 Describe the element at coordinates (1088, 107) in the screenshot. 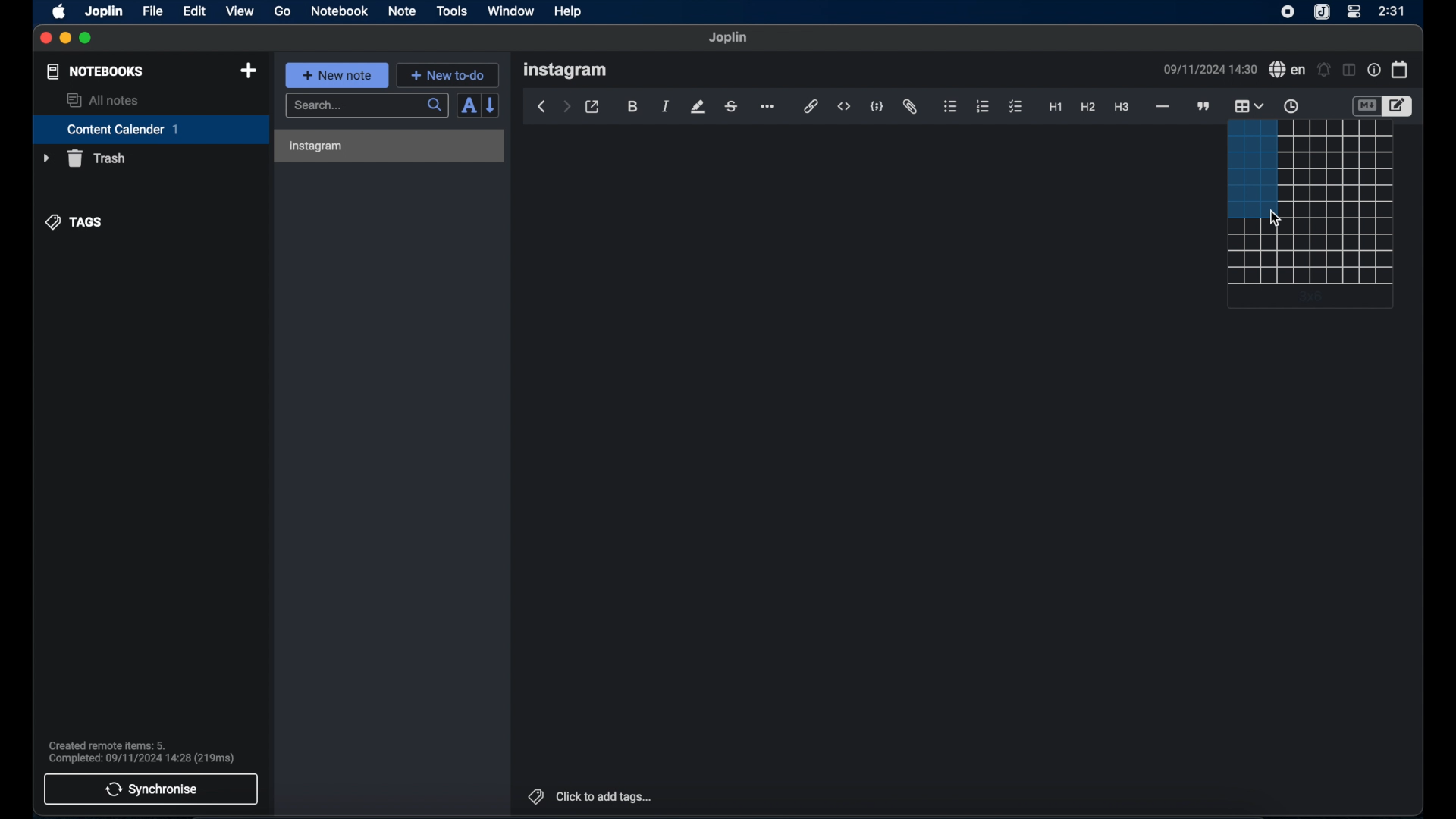

I see `heading 2` at that location.